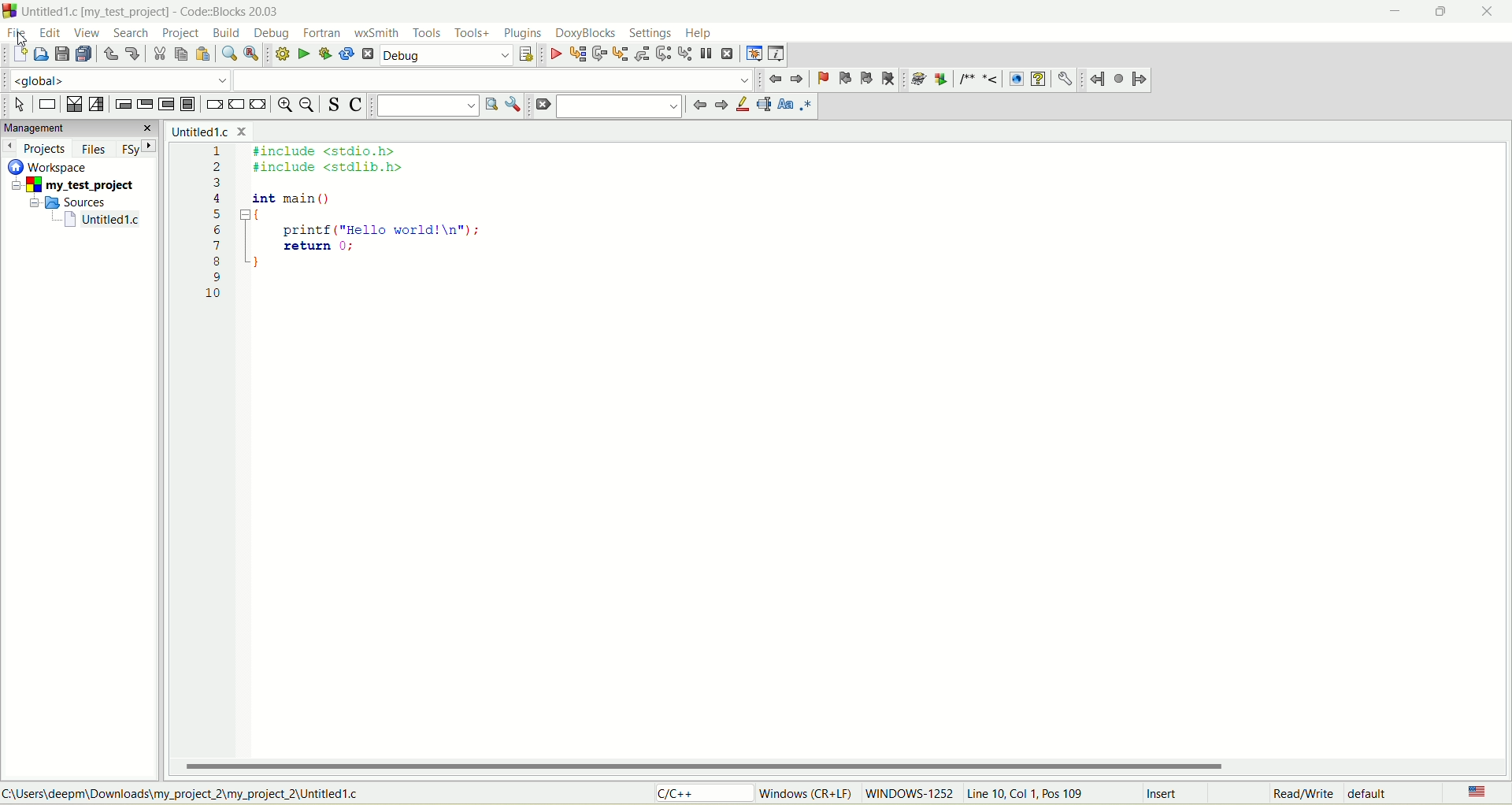 The image size is (1512, 805). Describe the element at coordinates (447, 56) in the screenshot. I see `debug` at that location.